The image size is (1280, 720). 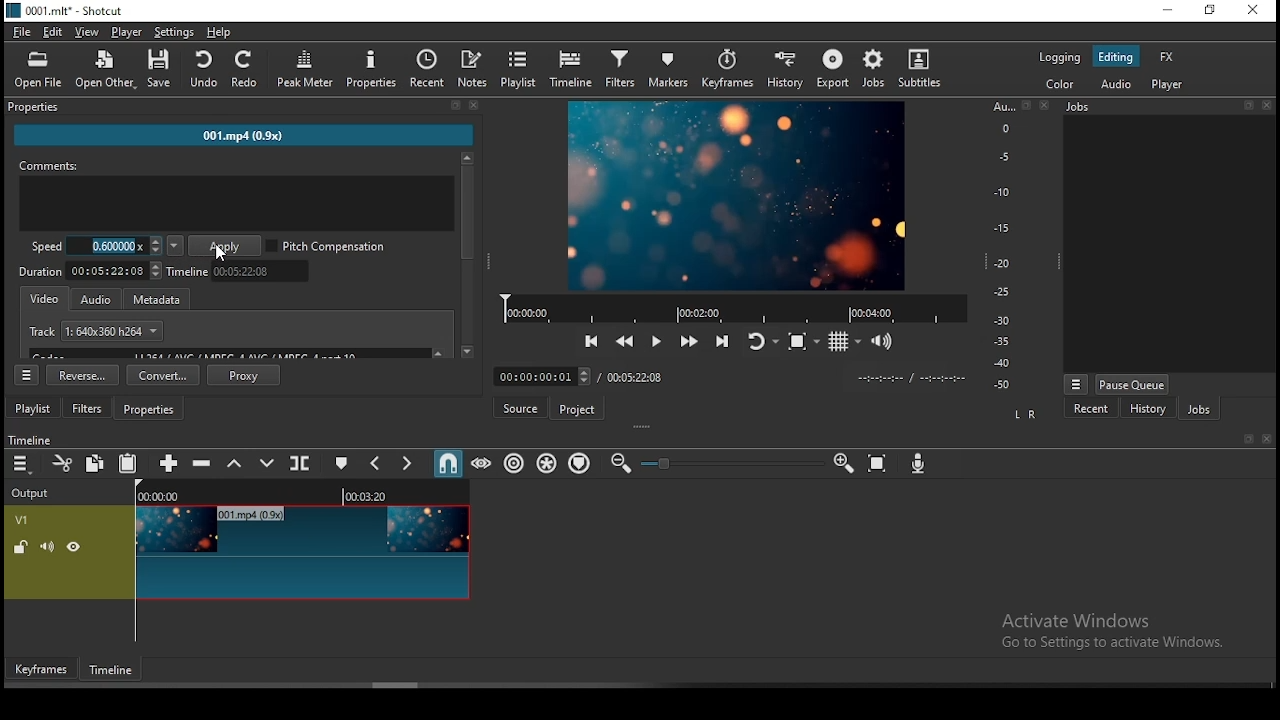 I want to click on ripple all tracks, so click(x=547, y=462).